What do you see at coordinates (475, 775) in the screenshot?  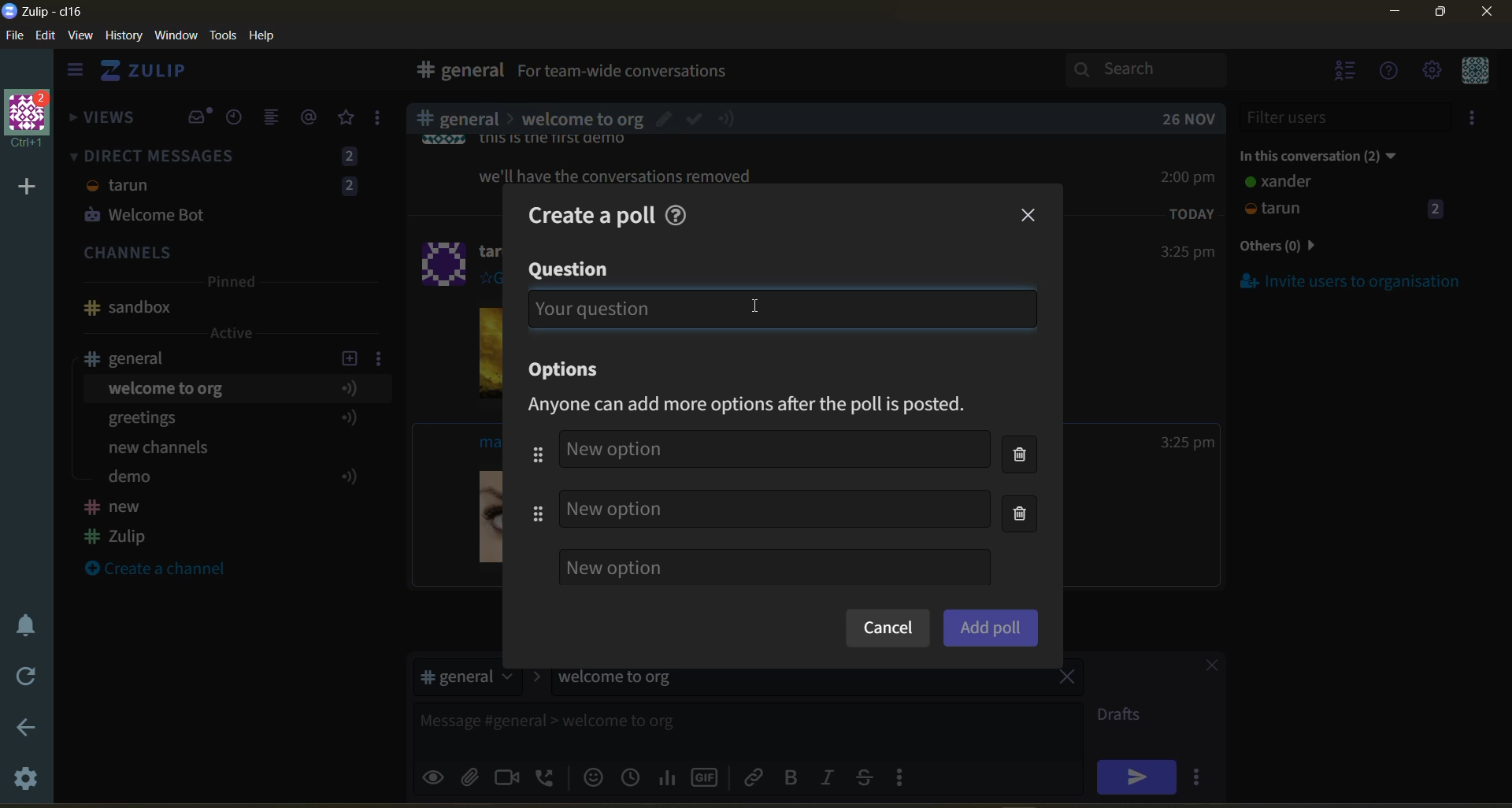 I see `upload files` at bounding box center [475, 775].